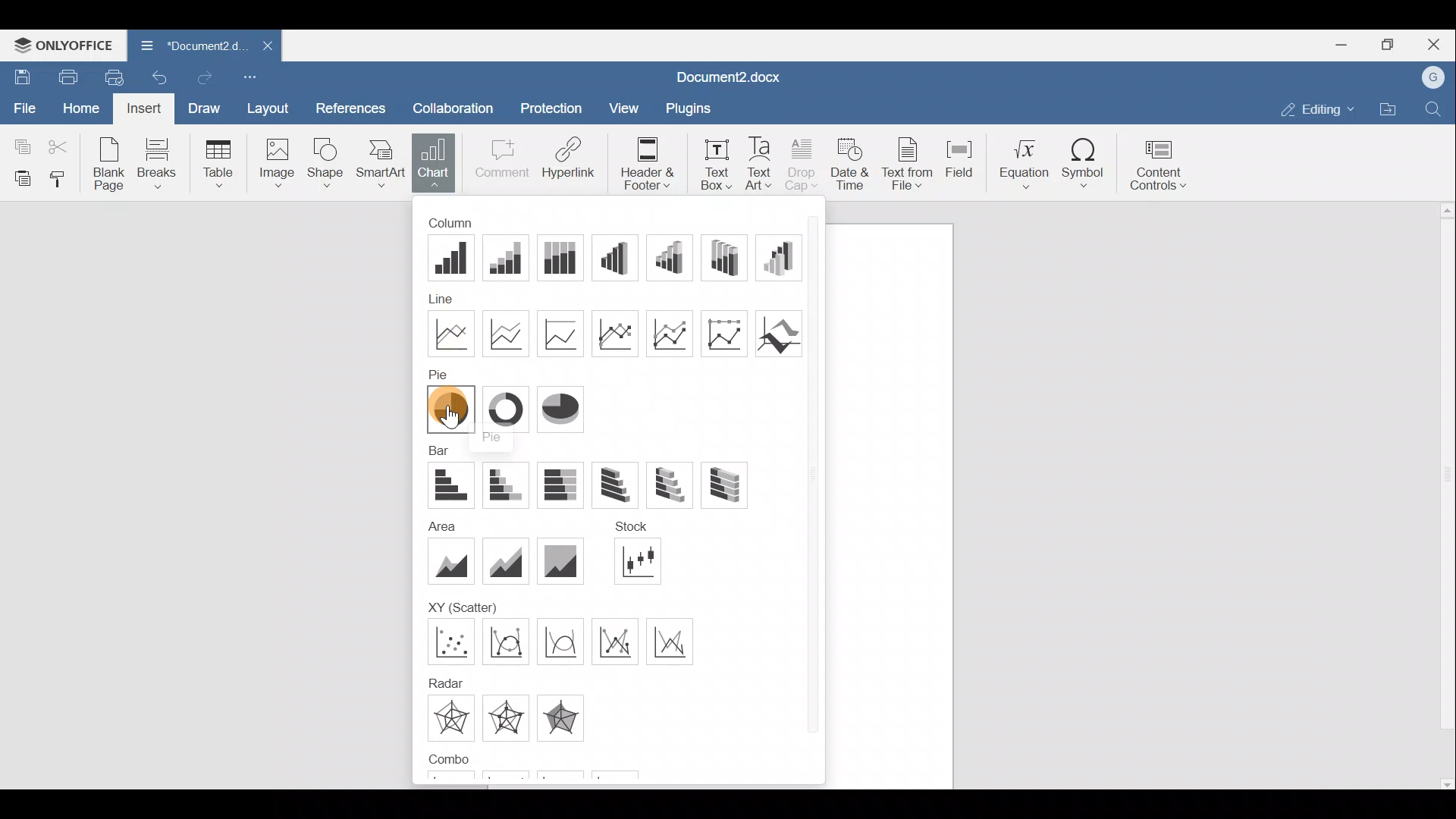 The height and width of the screenshot is (819, 1456). Describe the element at coordinates (728, 484) in the screenshot. I see `3-D 100% stacked bar` at that location.